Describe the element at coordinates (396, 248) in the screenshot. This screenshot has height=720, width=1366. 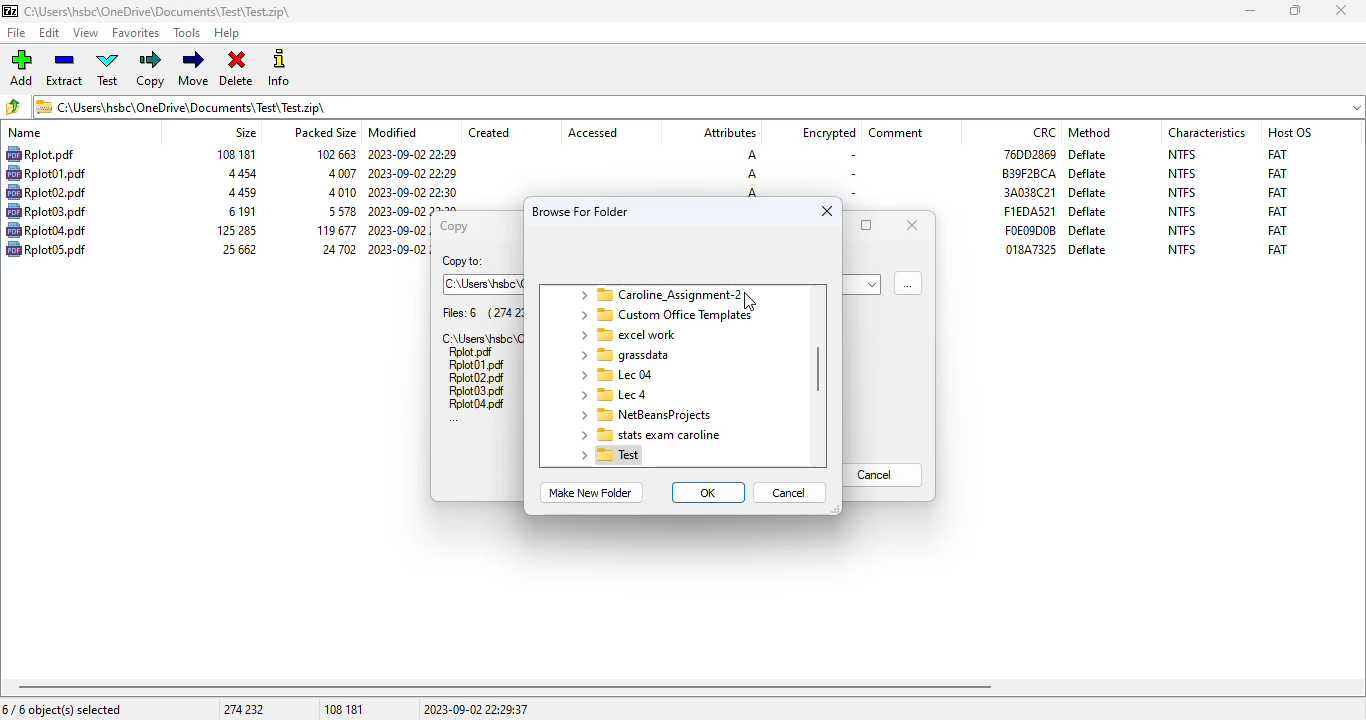
I see `modified date & time` at that location.